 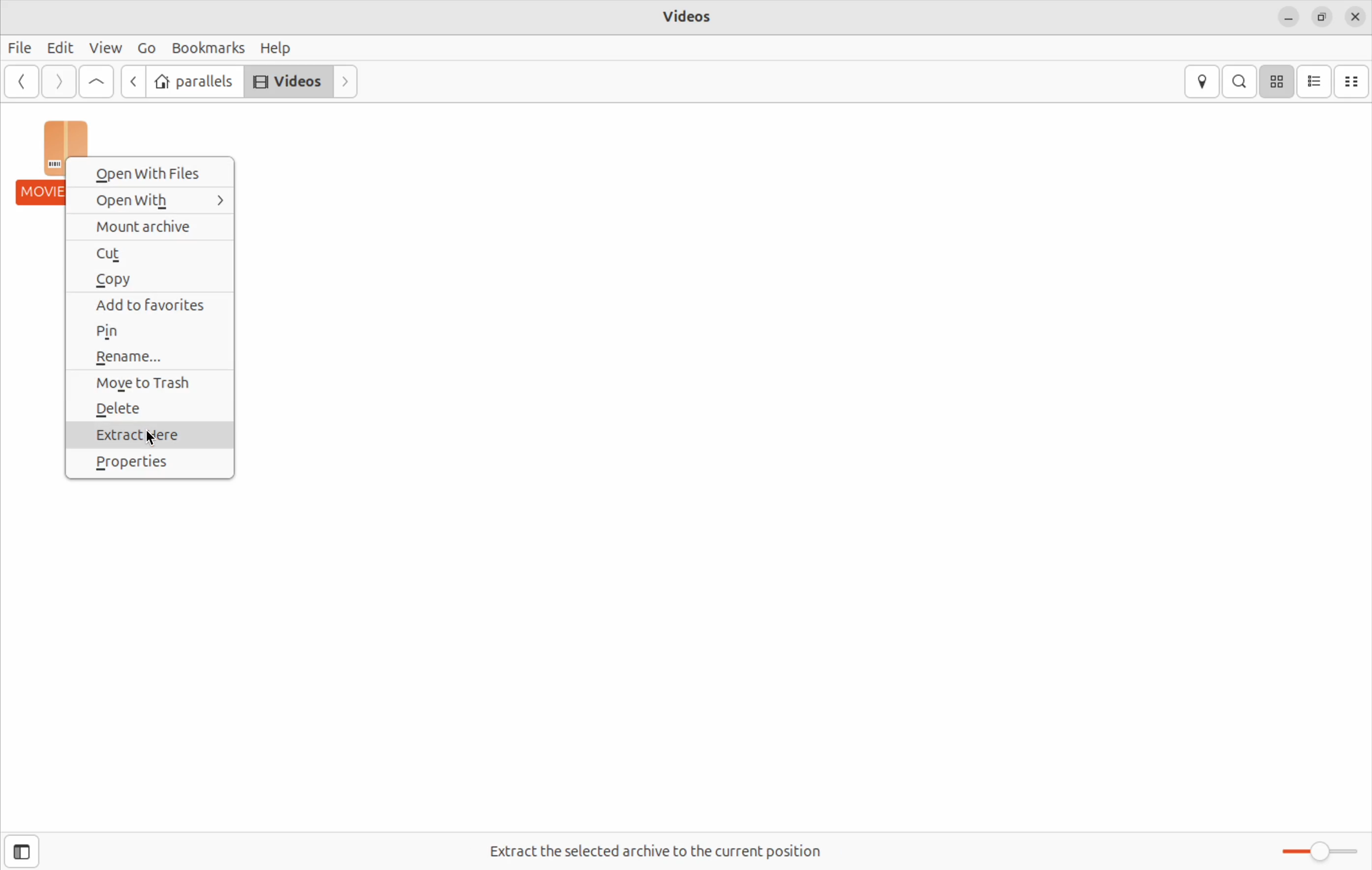 What do you see at coordinates (1288, 19) in the screenshot?
I see `minimize` at bounding box center [1288, 19].